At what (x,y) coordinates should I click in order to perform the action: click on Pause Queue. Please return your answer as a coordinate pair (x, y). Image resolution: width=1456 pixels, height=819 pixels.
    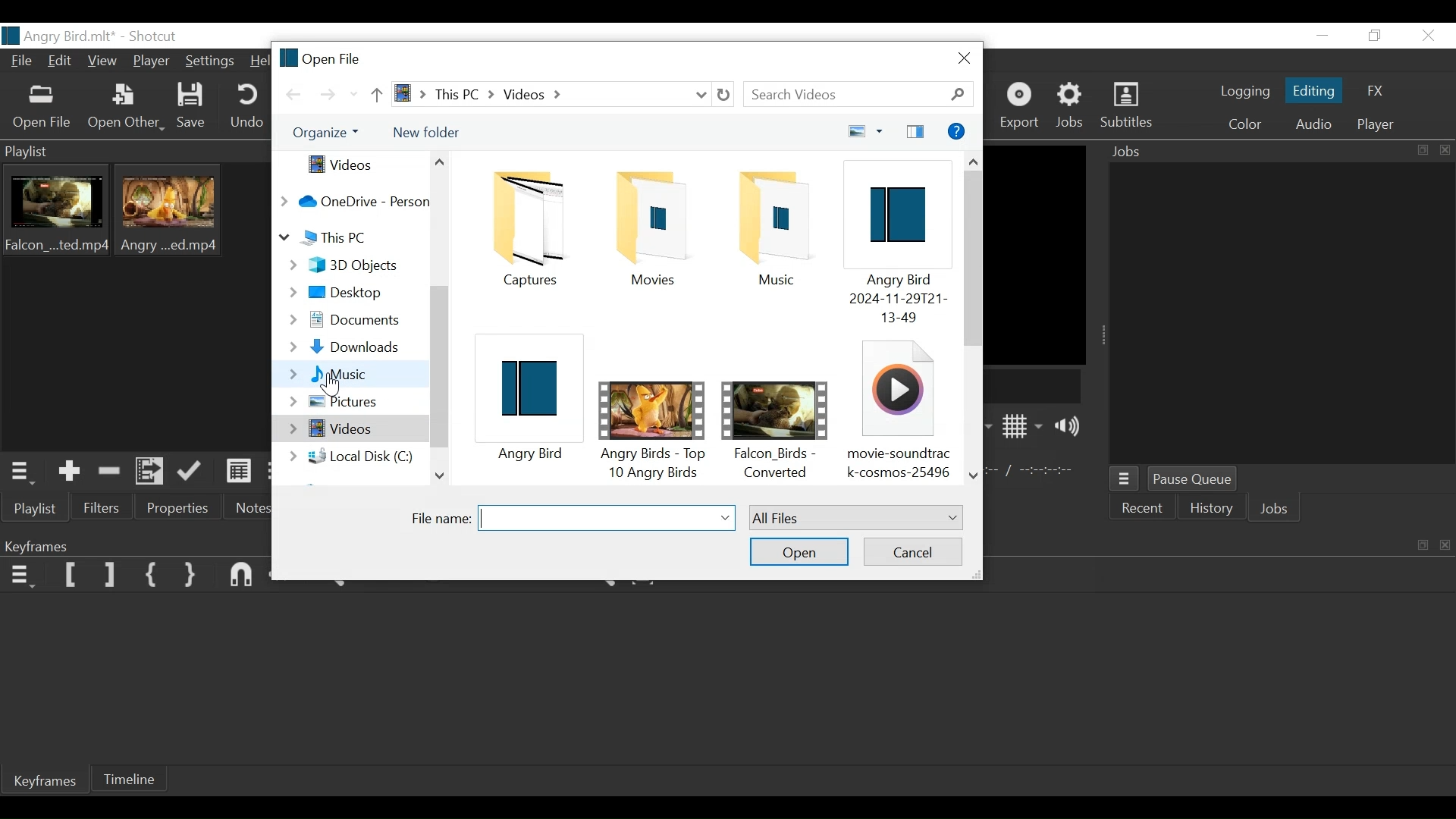
    Looking at the image, I should click on (1191, 479).